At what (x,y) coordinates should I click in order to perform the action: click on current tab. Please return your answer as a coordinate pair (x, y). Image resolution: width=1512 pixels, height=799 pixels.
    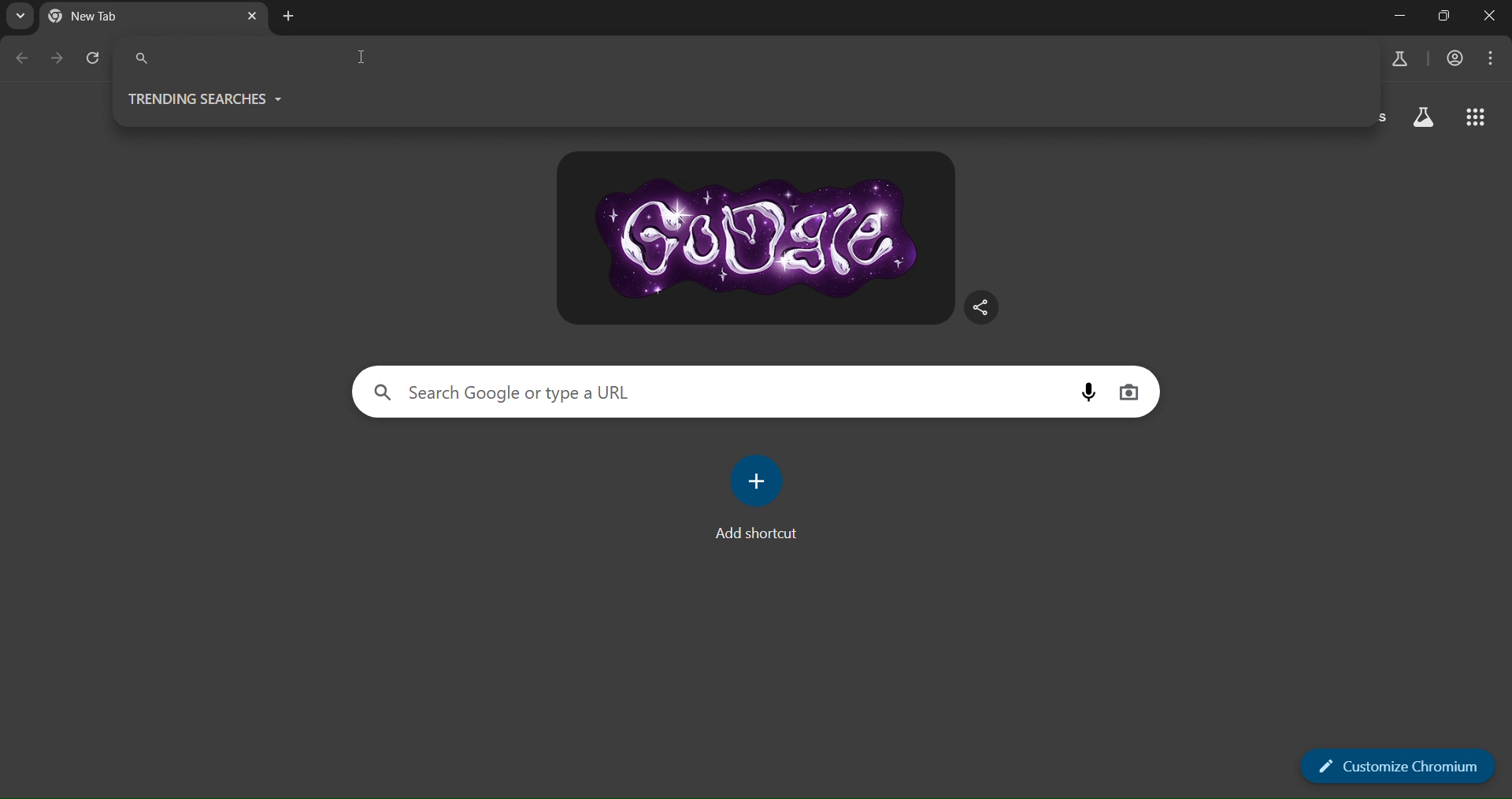
    Looking at the image, I should click on (120, 17).